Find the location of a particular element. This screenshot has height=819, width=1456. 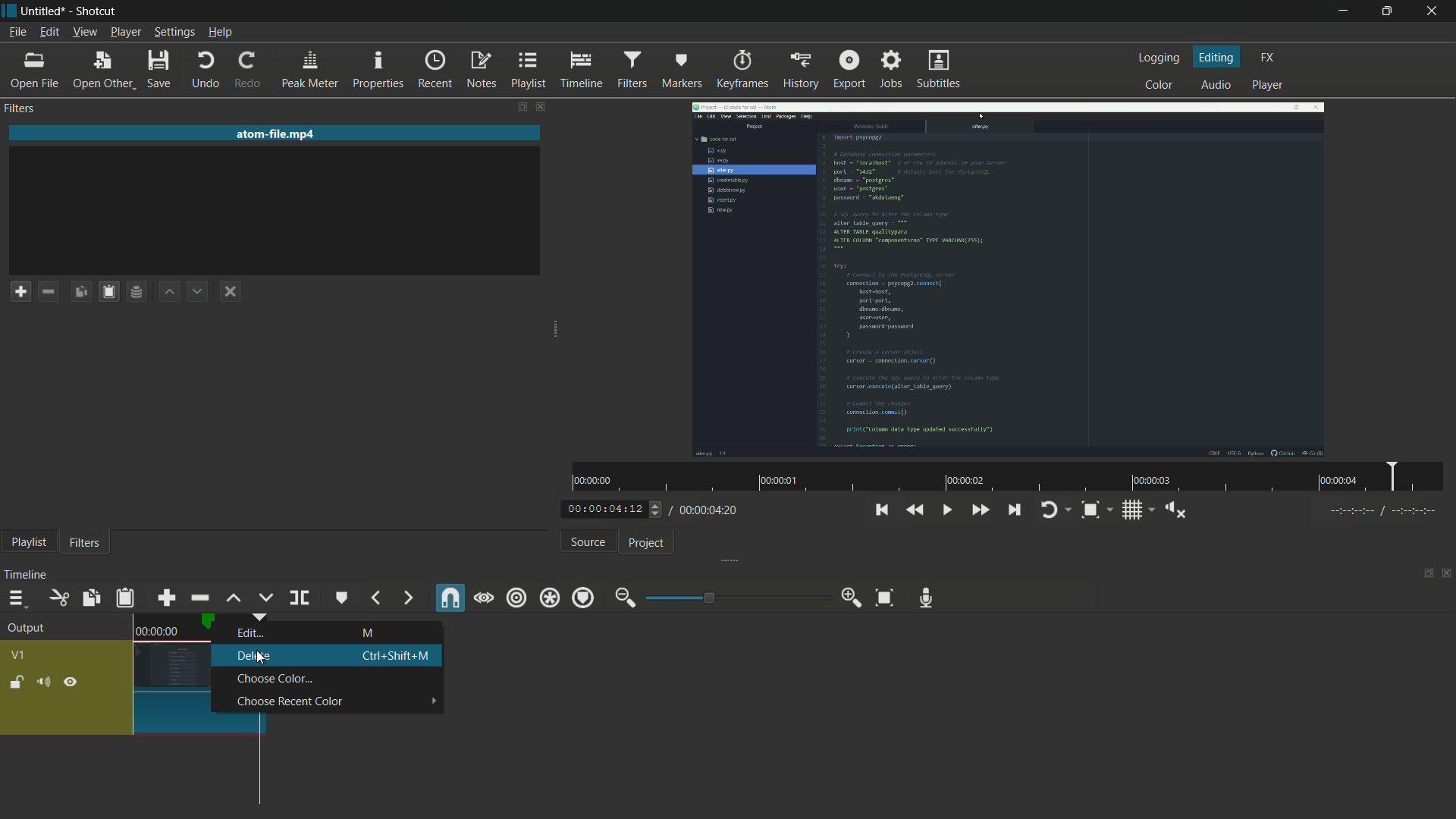

move filter up is located at coordinates (168, 293).